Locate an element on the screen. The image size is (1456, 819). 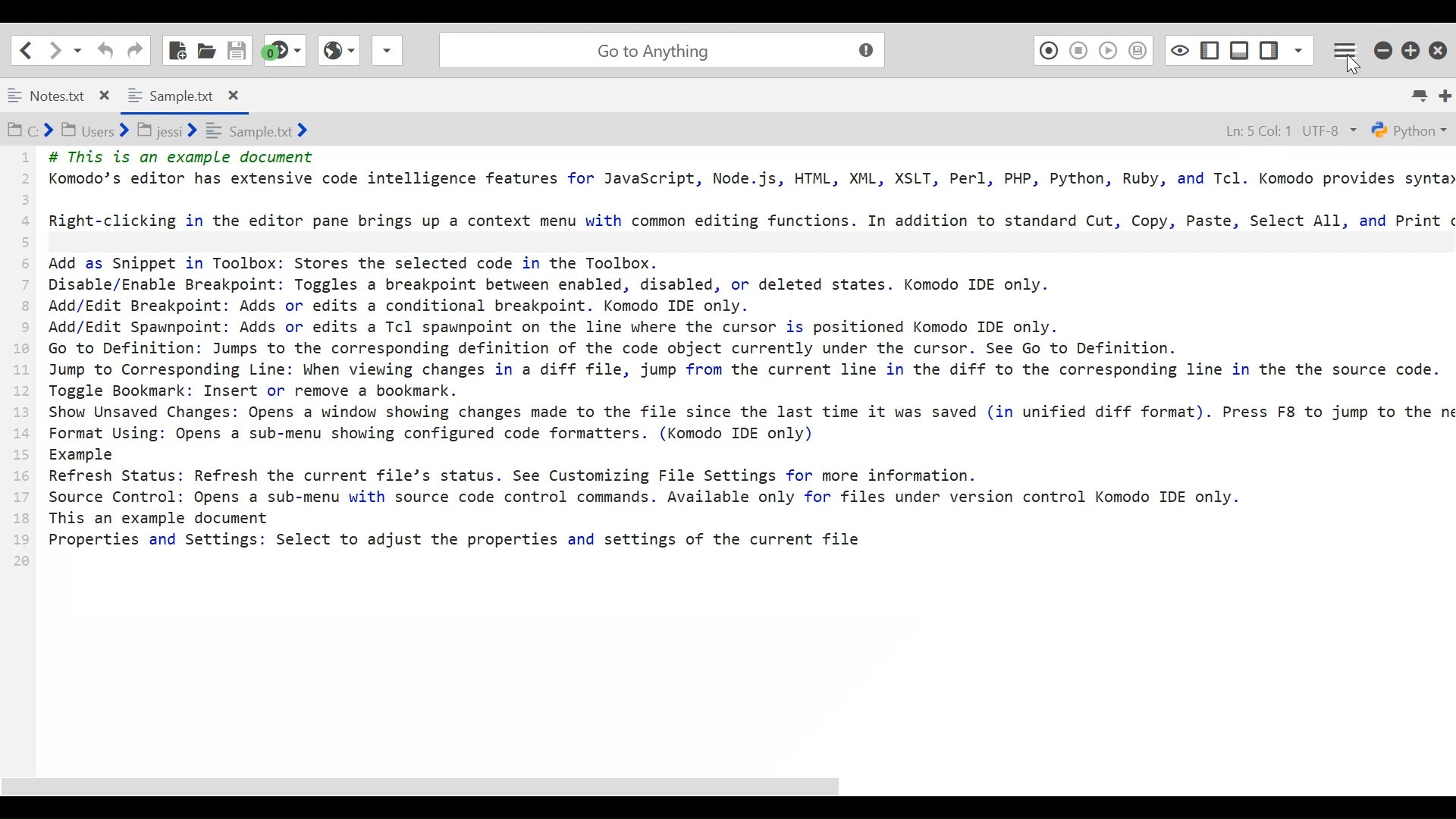
Jump to the next syntax checking result is located at coordinates (285, 50).